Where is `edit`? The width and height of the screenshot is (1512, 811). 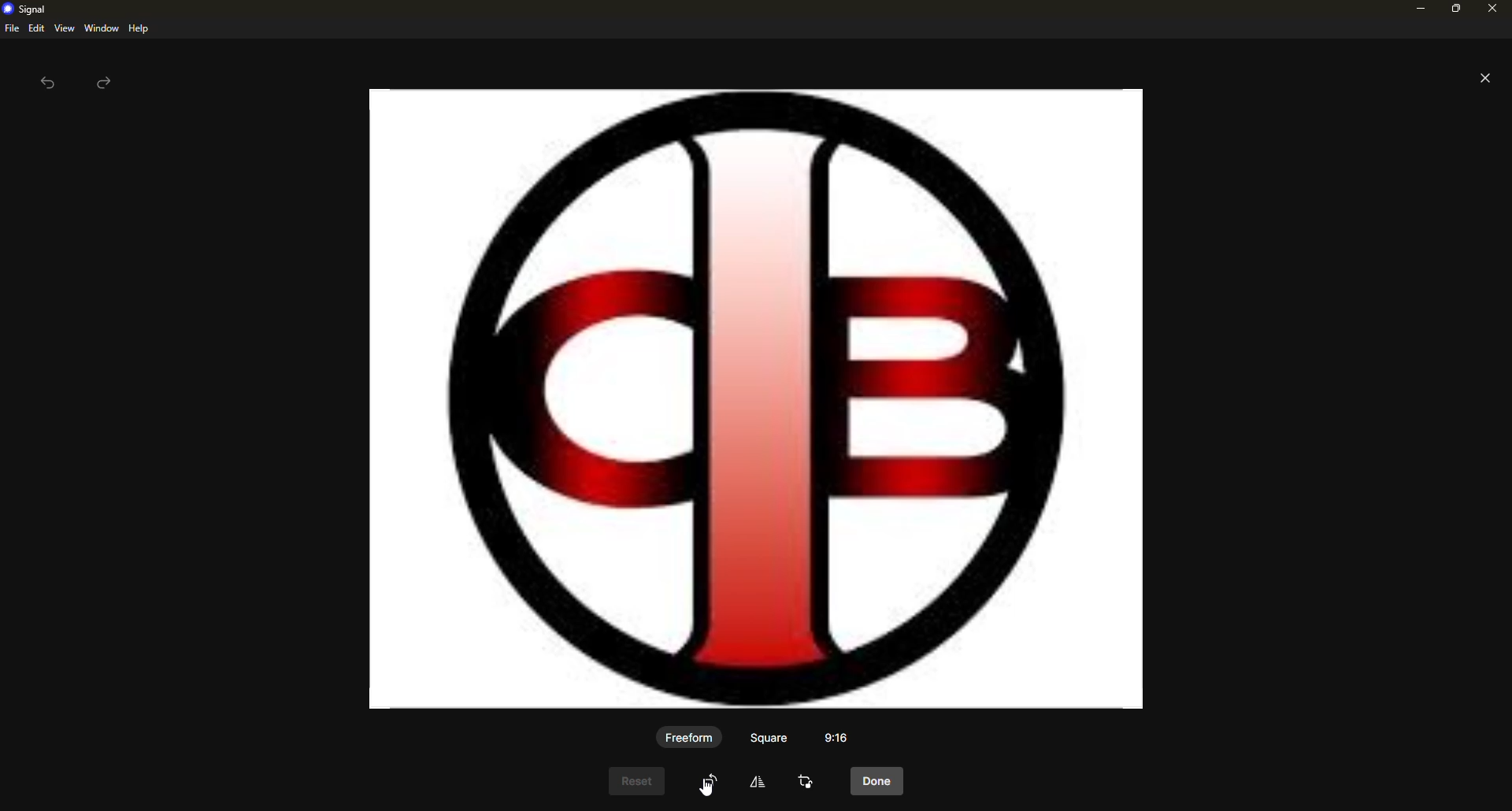 edit is located at coordinates (36, 28).